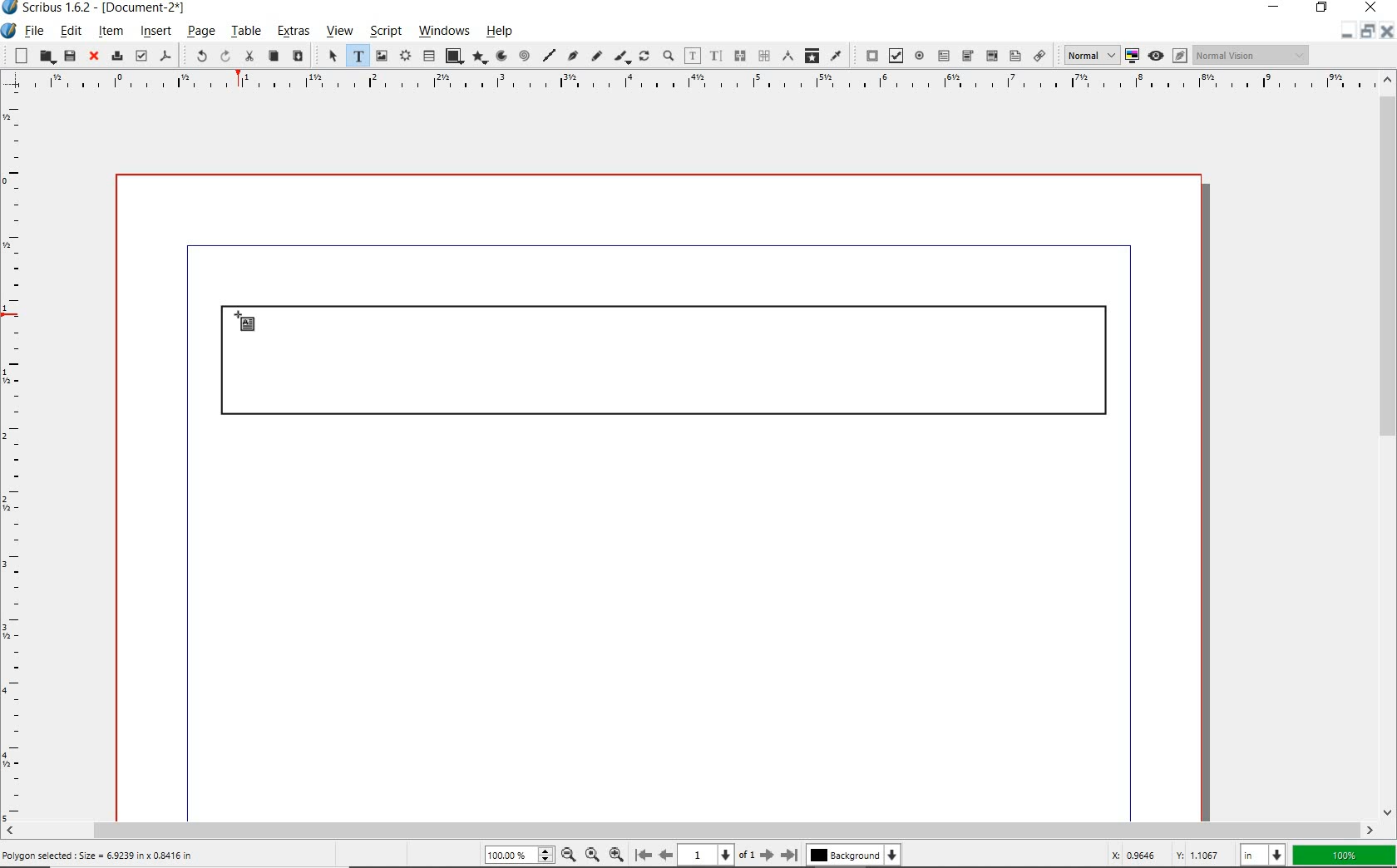 Image resolution: width=1397 pixels, height=868 pixels. I want to click on text frame, so click(358, 56).